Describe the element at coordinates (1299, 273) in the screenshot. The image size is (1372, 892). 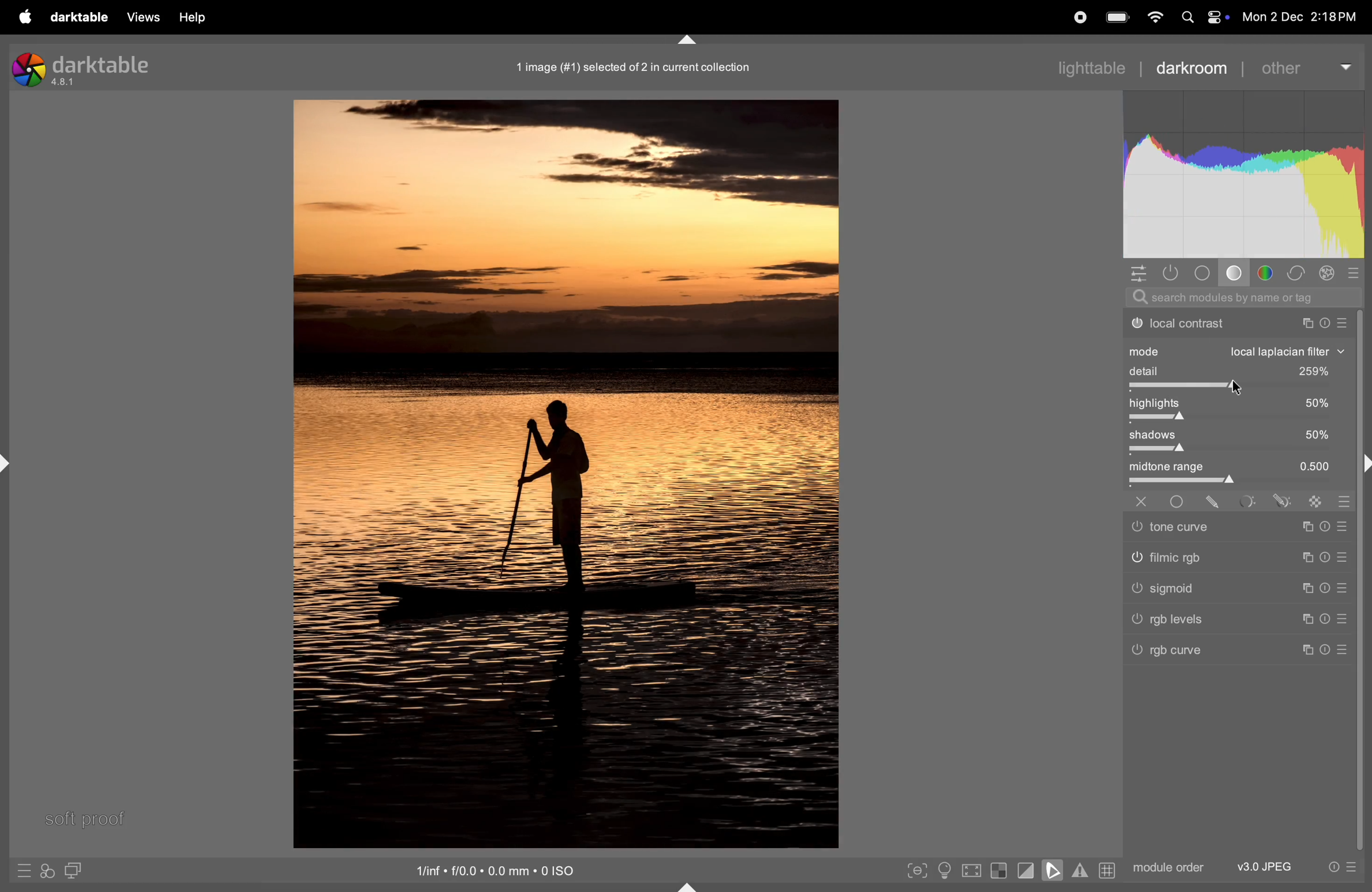
I see `correct` at that location.